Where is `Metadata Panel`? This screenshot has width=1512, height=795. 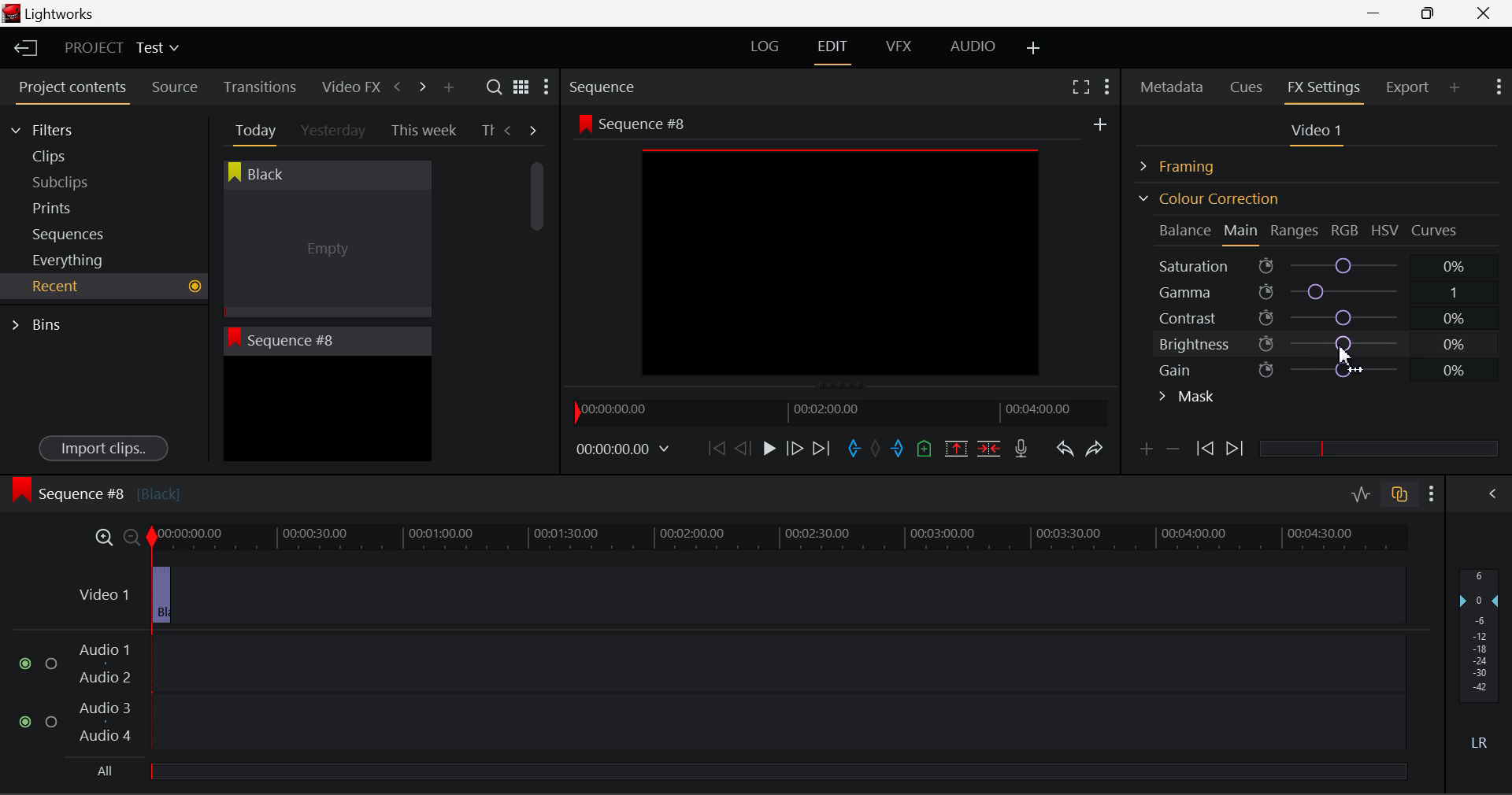 Metadata Panel is located at coordinates (1173, 84).